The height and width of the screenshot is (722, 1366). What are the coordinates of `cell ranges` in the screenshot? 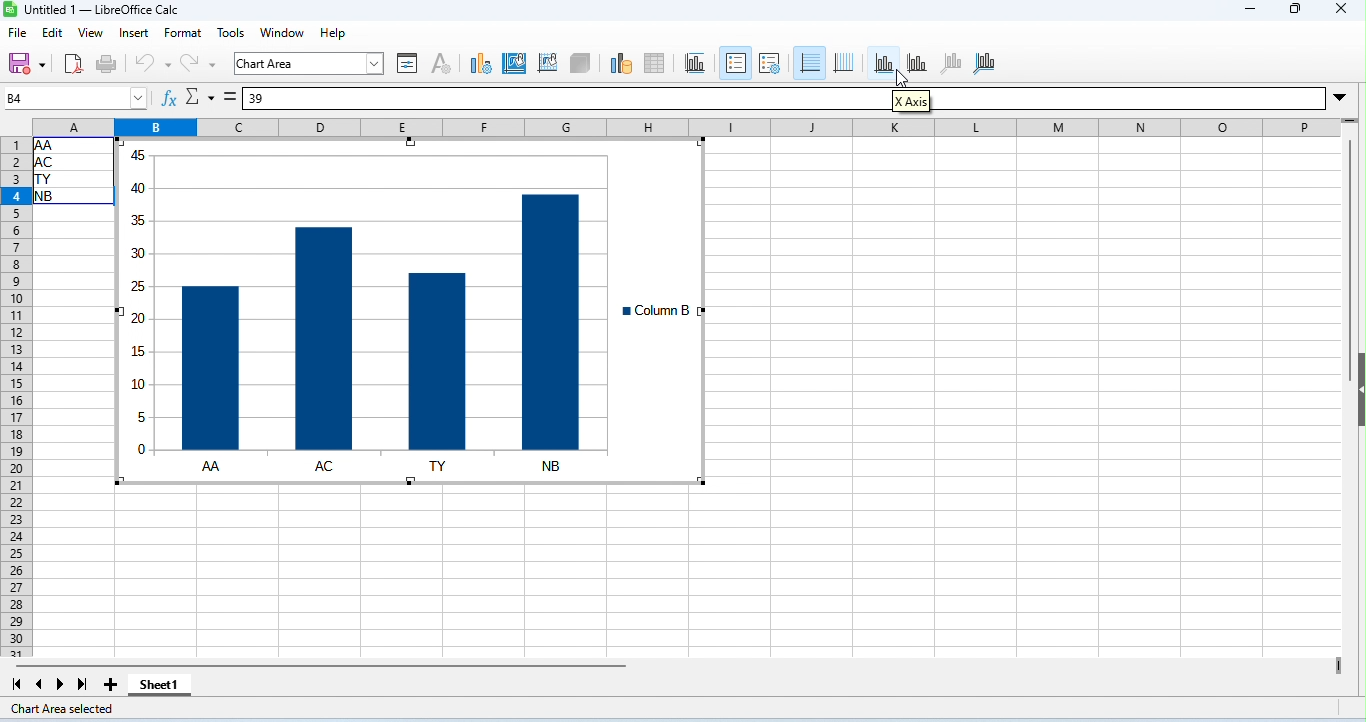 It's located at (73, 179).